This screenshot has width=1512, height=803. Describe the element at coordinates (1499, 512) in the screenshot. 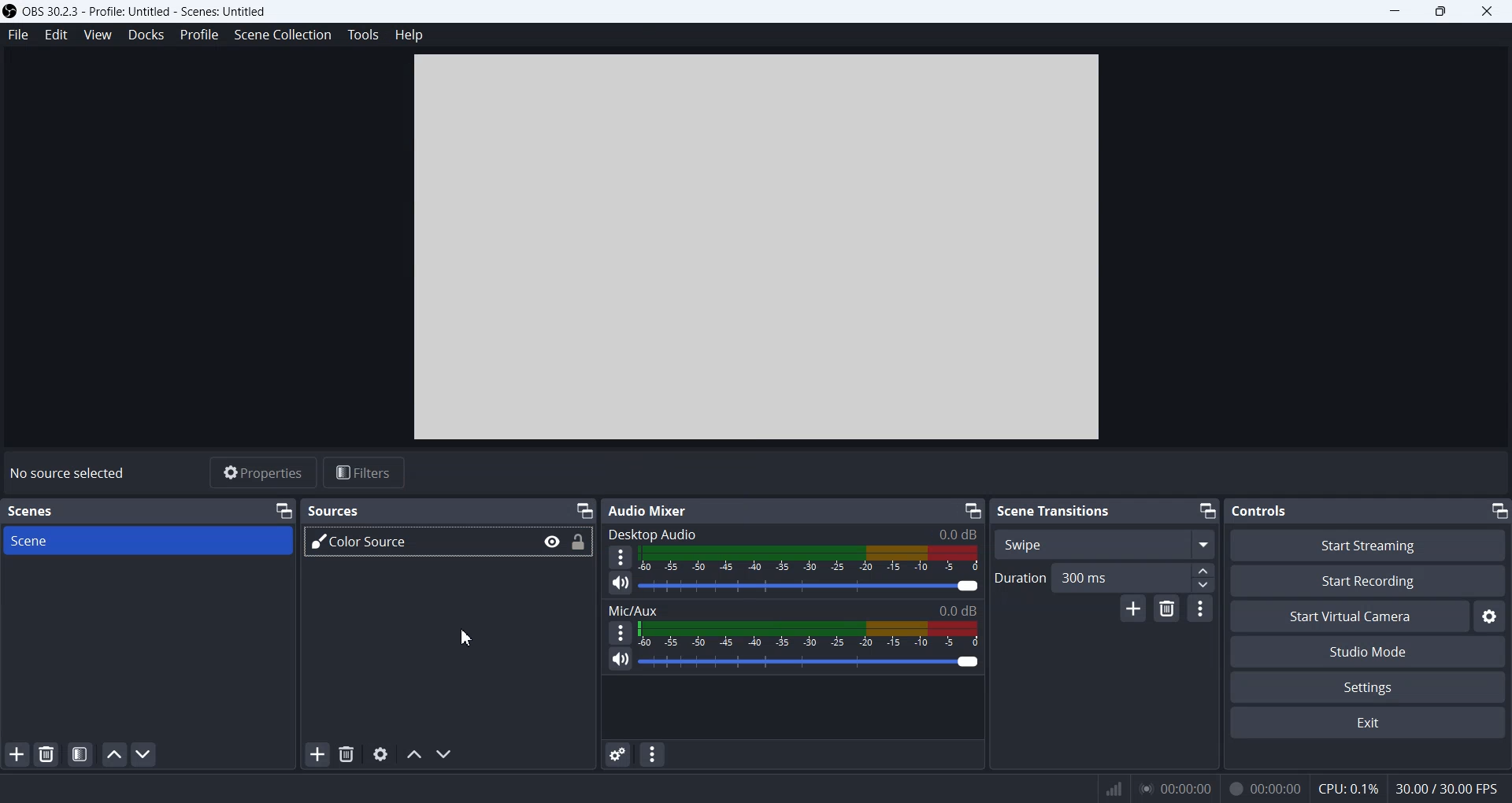

I see `Minimize` at that location.